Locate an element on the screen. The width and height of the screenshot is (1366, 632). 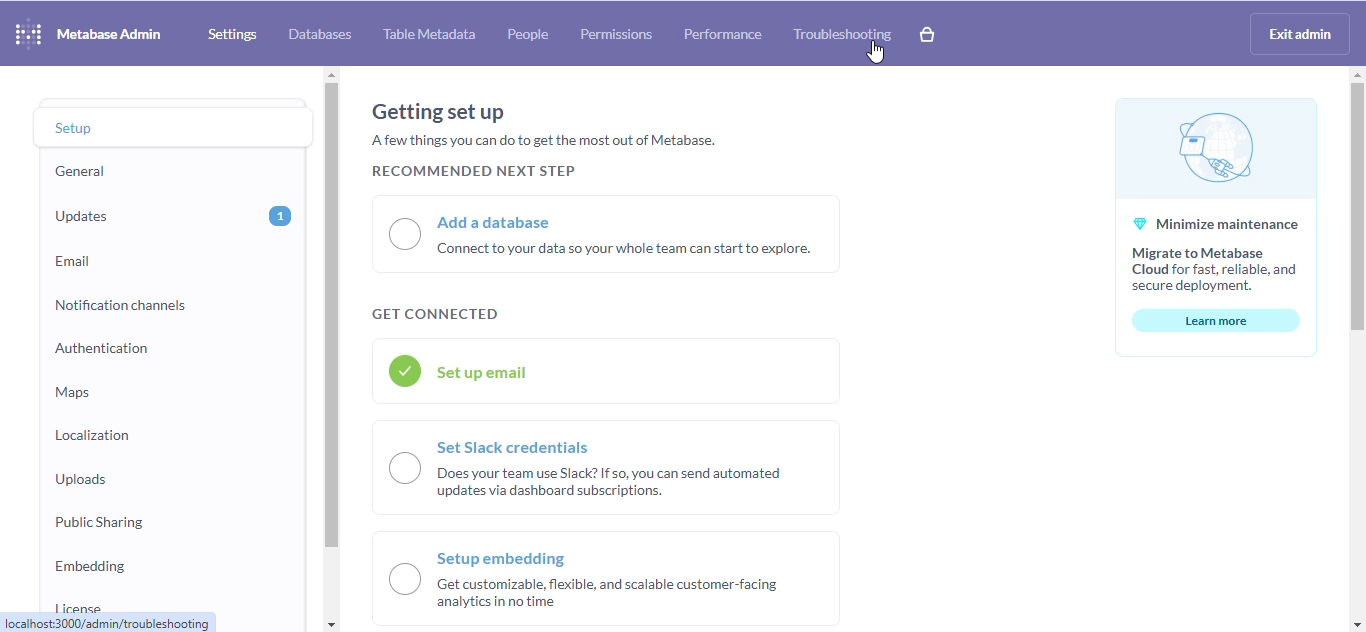
embedding is located at coordinates (91, 564).